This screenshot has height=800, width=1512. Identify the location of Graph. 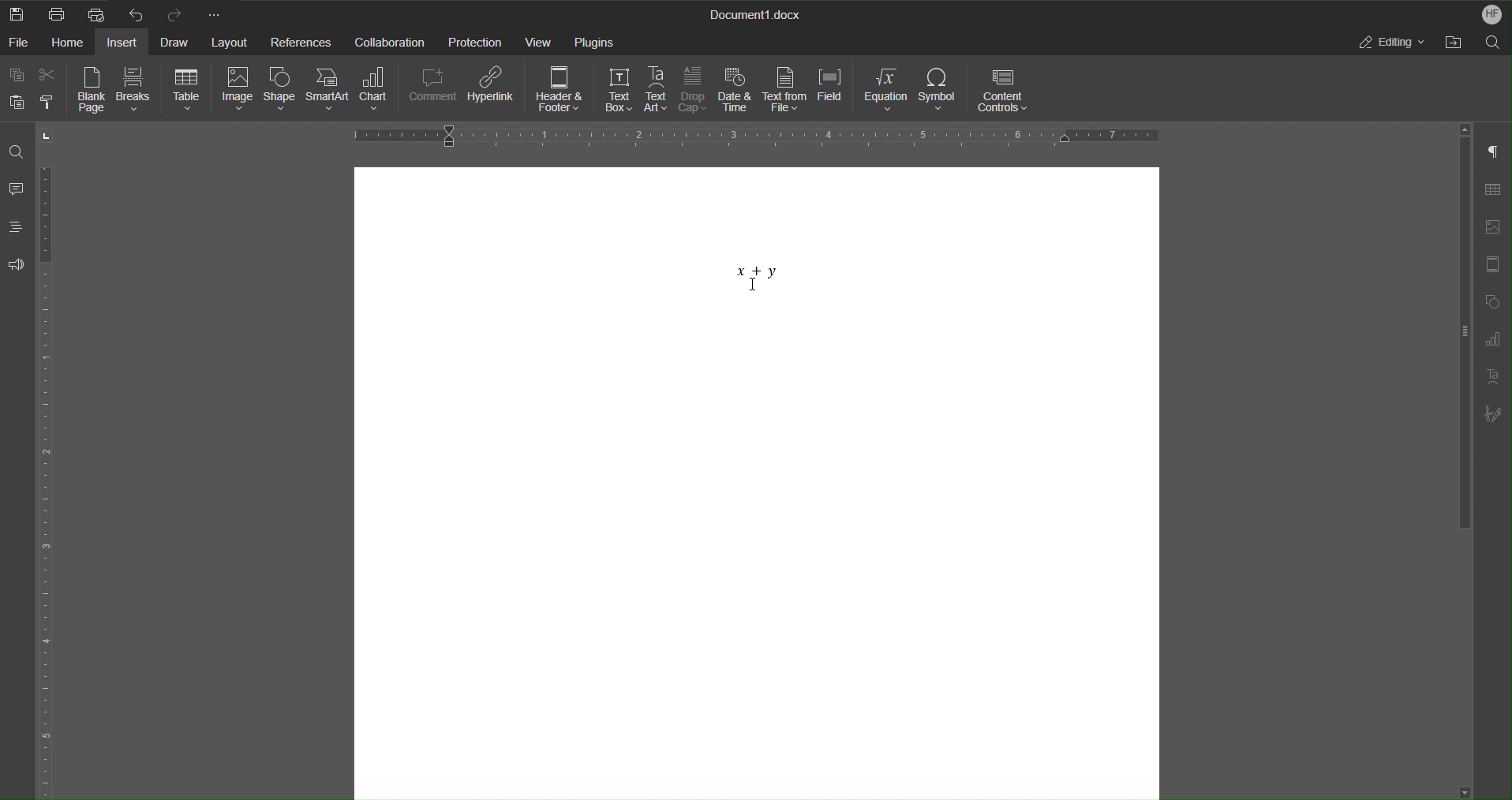
(1493, 340).